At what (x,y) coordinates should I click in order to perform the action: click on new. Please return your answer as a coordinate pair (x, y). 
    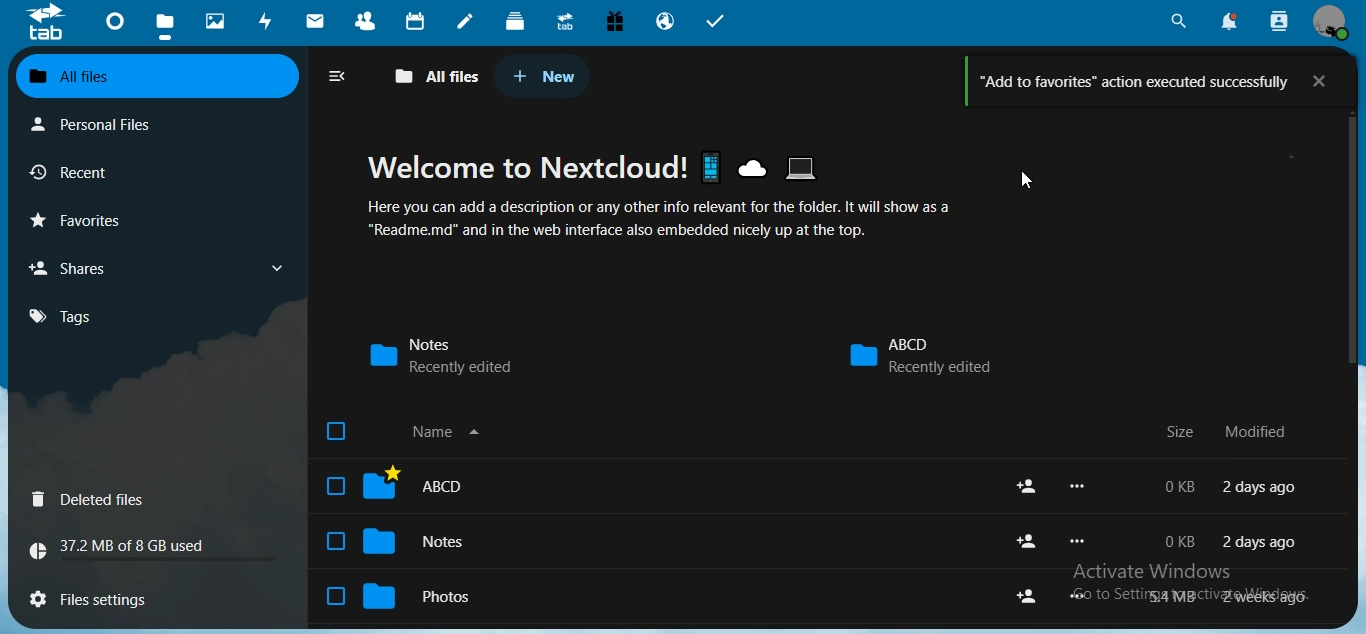
    Looking at the image, I should click on (540, 72).